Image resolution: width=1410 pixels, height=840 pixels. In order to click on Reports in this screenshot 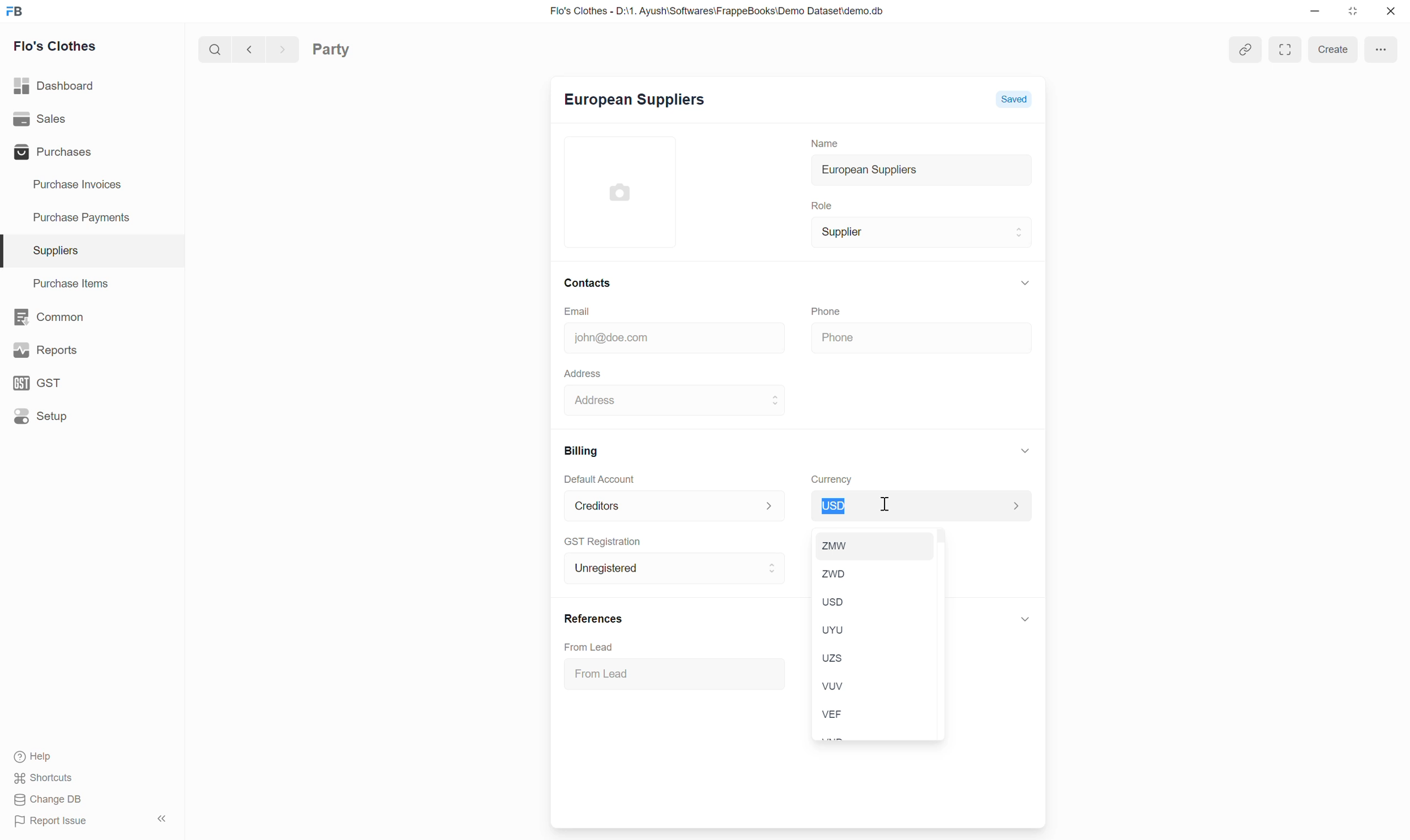, I will do `click(41, 344)`.